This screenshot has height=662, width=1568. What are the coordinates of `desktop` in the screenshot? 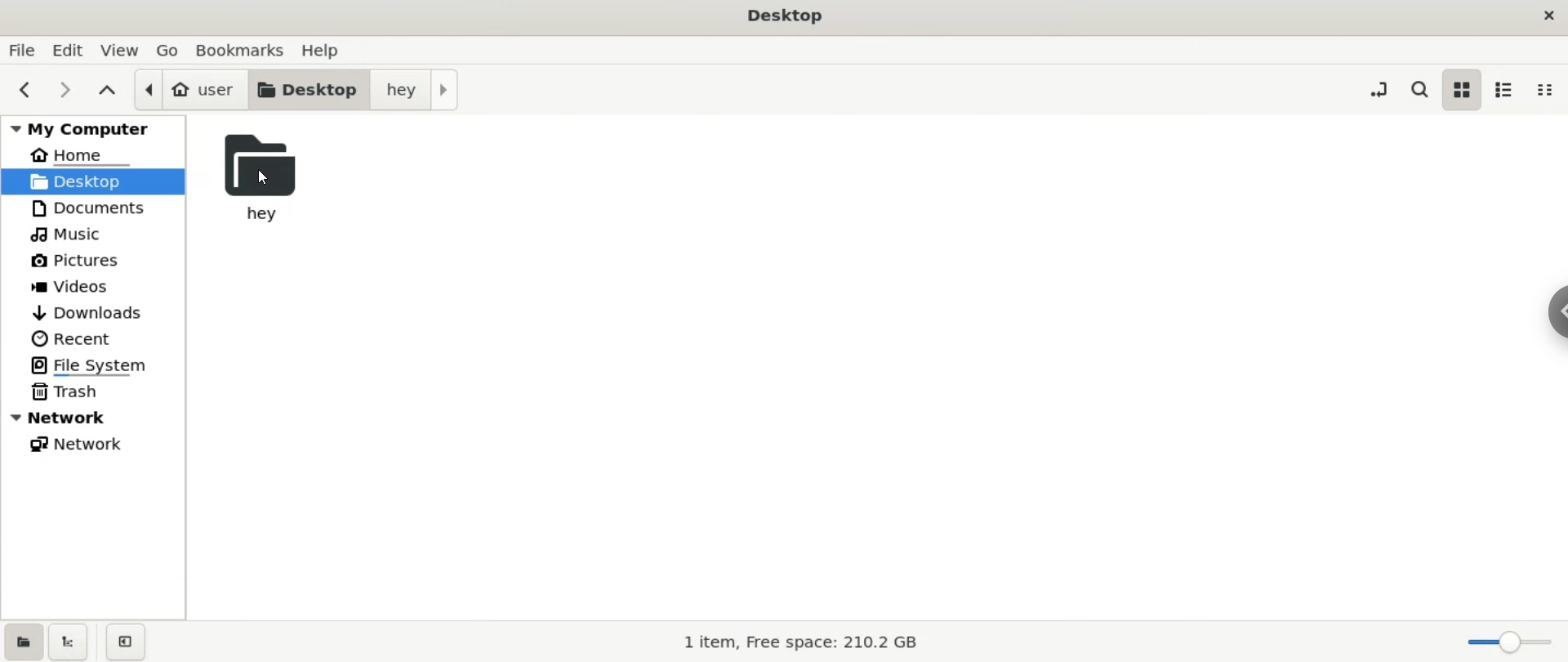 It's located at (310, 88).